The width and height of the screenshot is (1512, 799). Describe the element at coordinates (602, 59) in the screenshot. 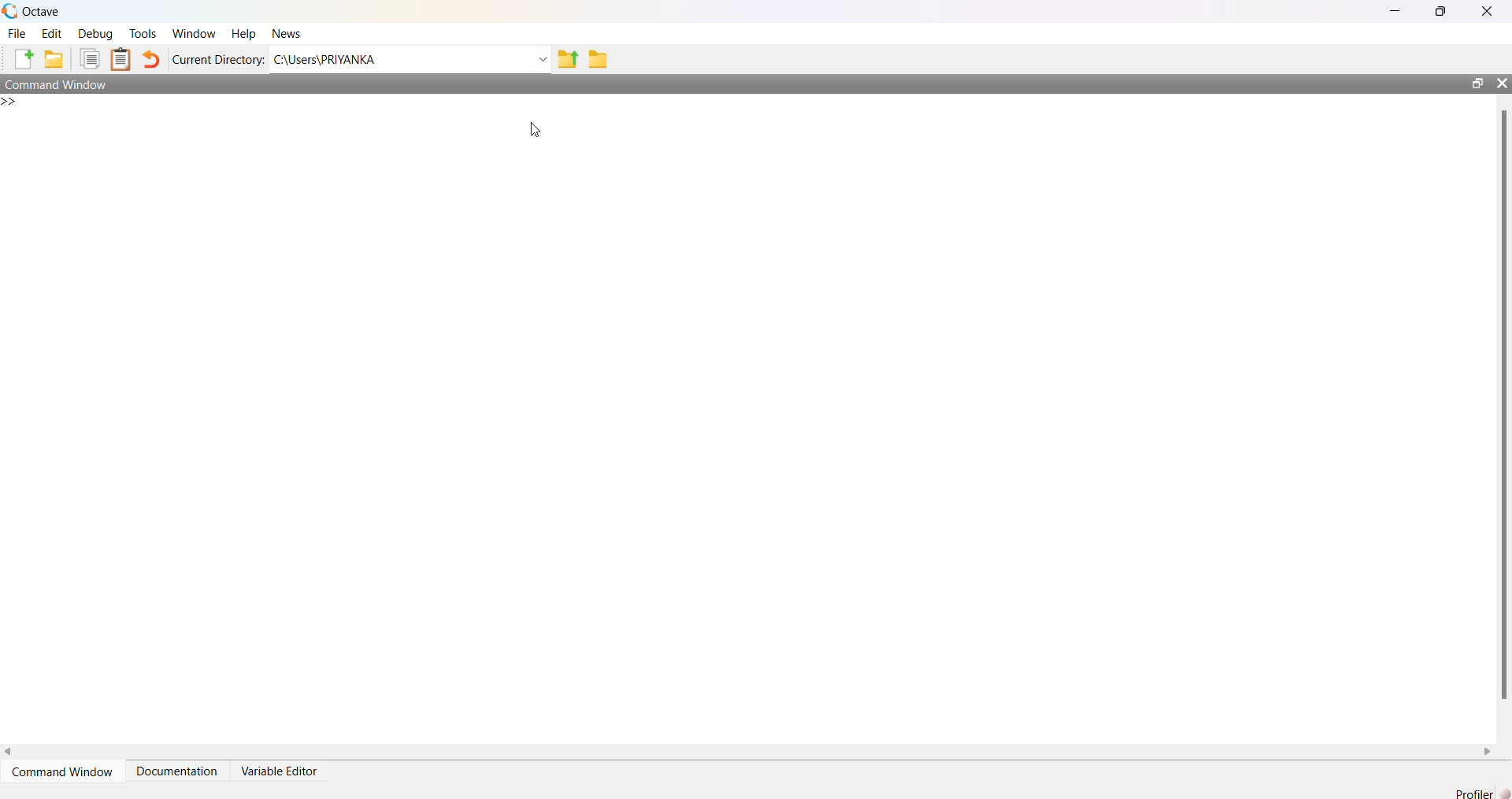

I see `save` at that location.